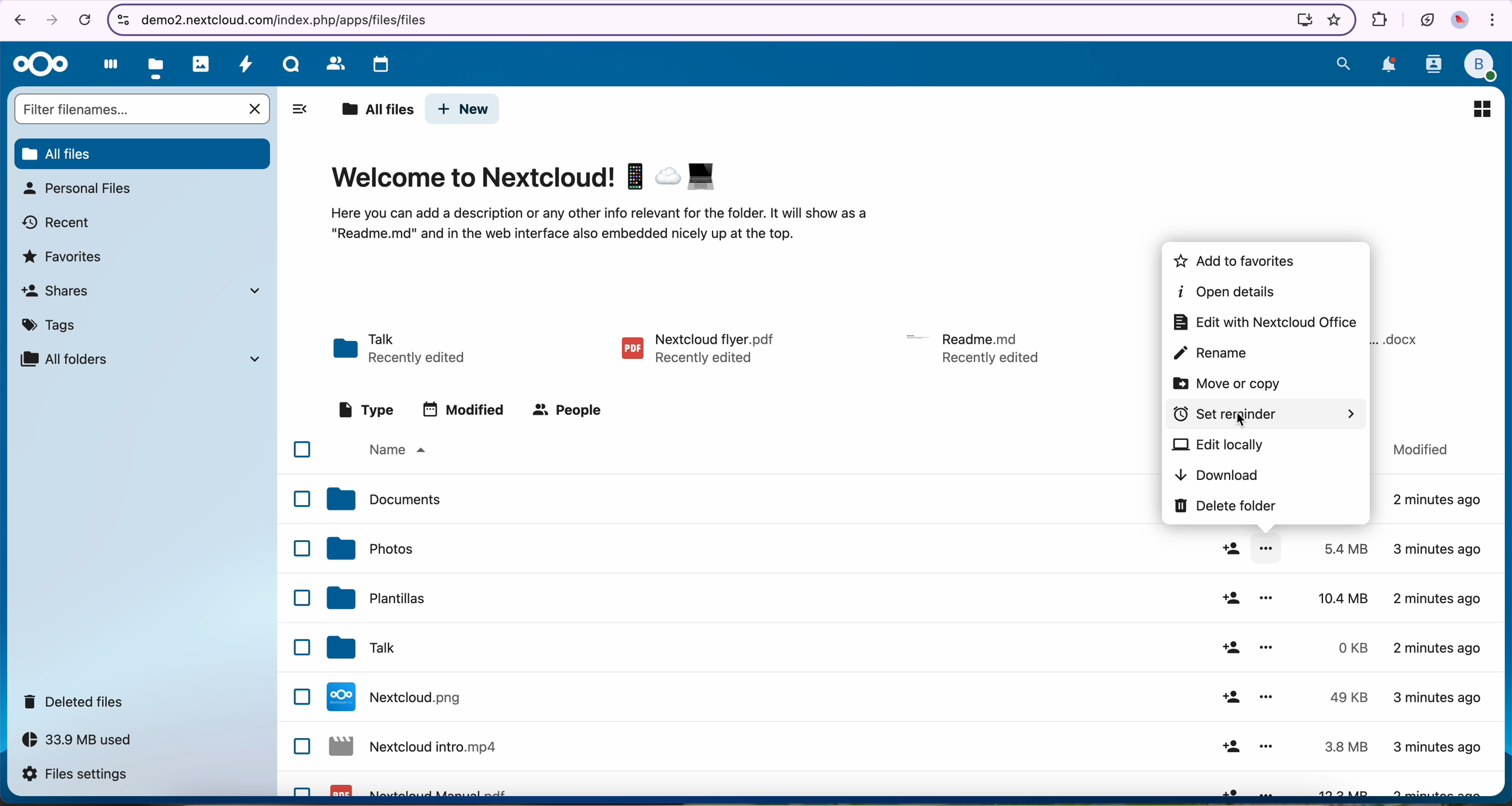 The image size is (1512, 806). I want to click on cursor, so click(1240, 421).